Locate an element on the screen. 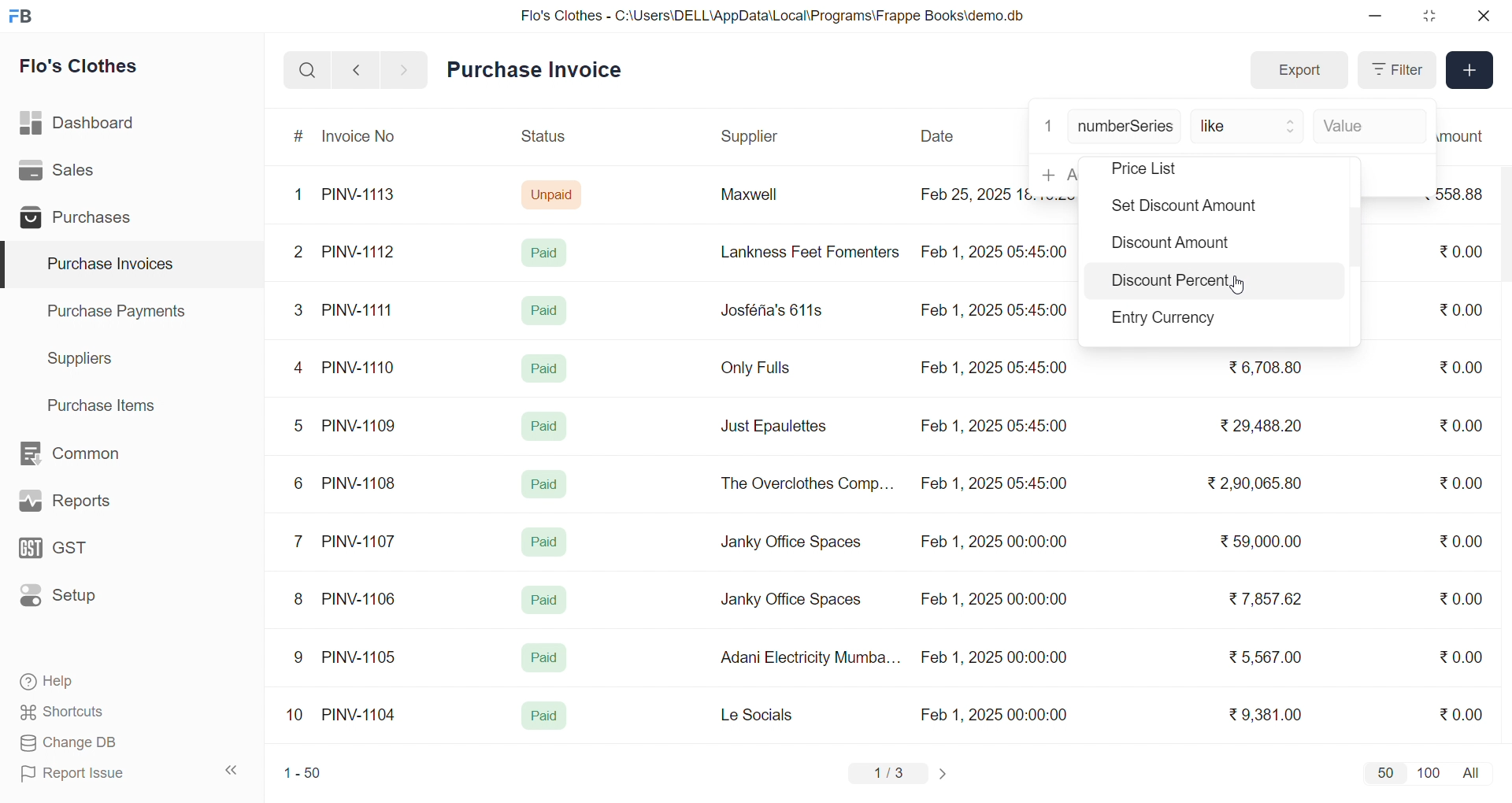 The image size is (1512, 803). # is located at coordinates (299, 138).